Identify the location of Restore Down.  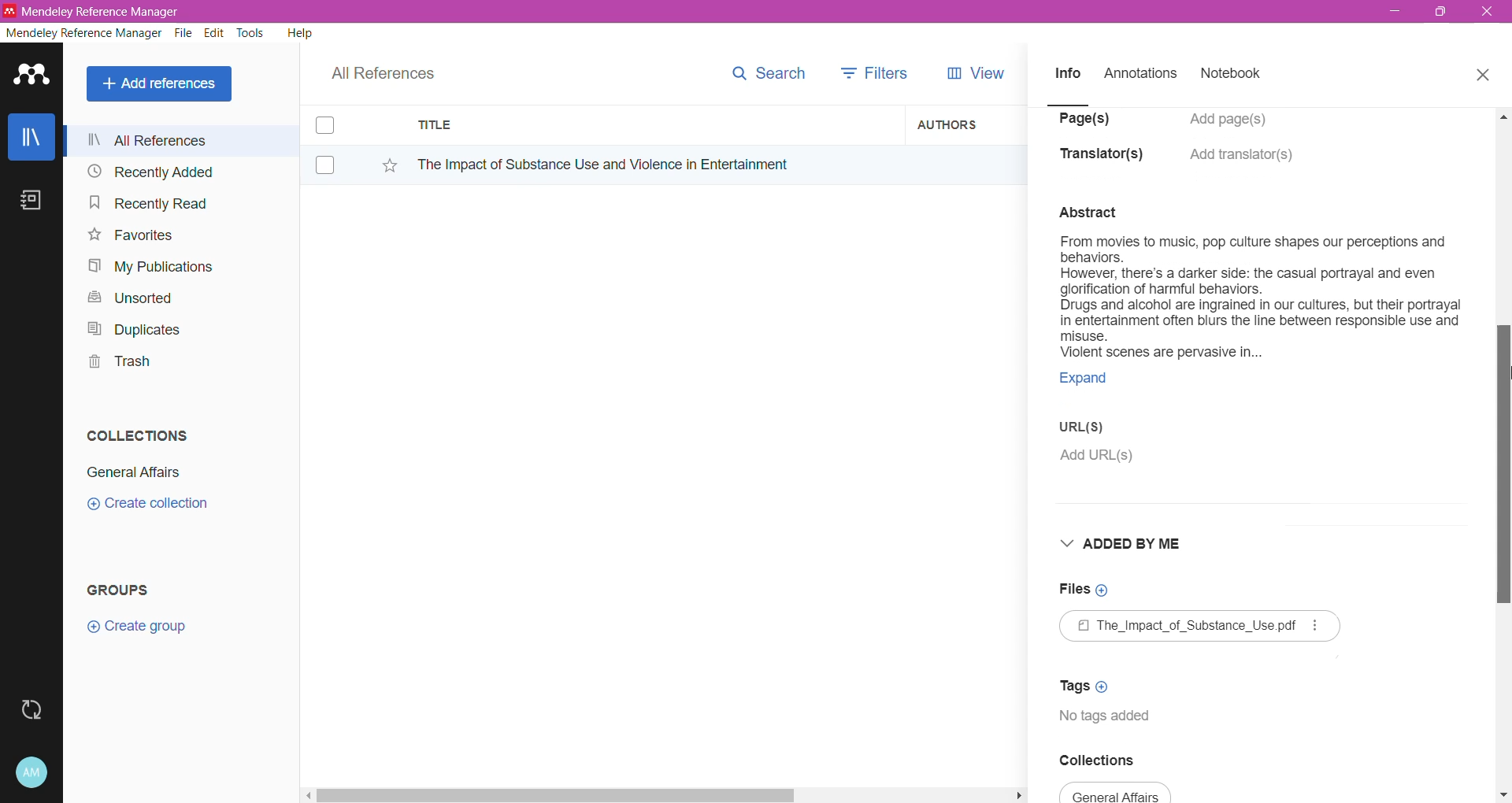
(1442, 13).